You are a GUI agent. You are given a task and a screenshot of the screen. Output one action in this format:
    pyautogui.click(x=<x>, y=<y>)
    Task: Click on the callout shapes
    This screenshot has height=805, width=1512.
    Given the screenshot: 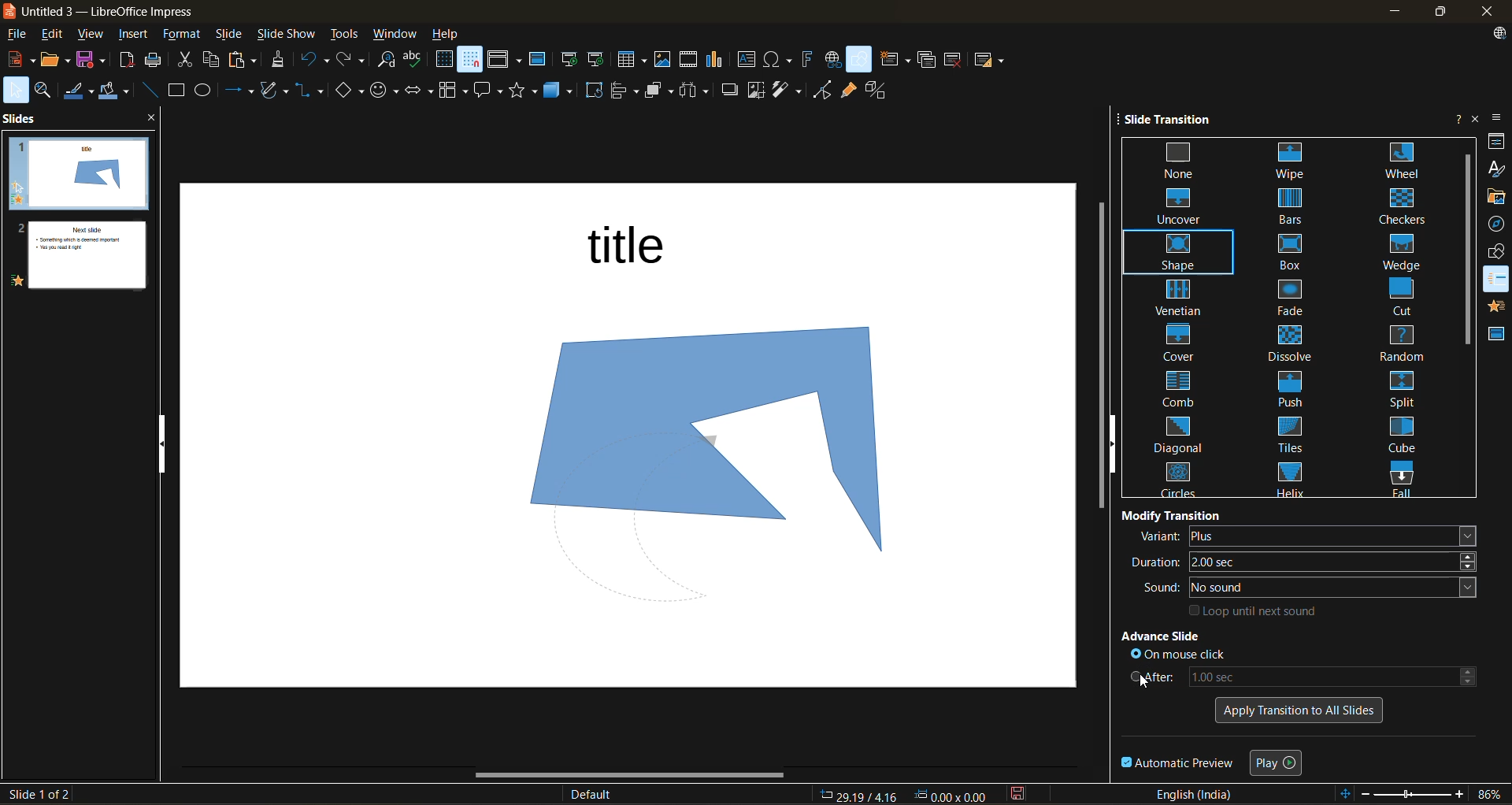 What is the action you would take?
    pyautogui.click(x=491, y=91)
    